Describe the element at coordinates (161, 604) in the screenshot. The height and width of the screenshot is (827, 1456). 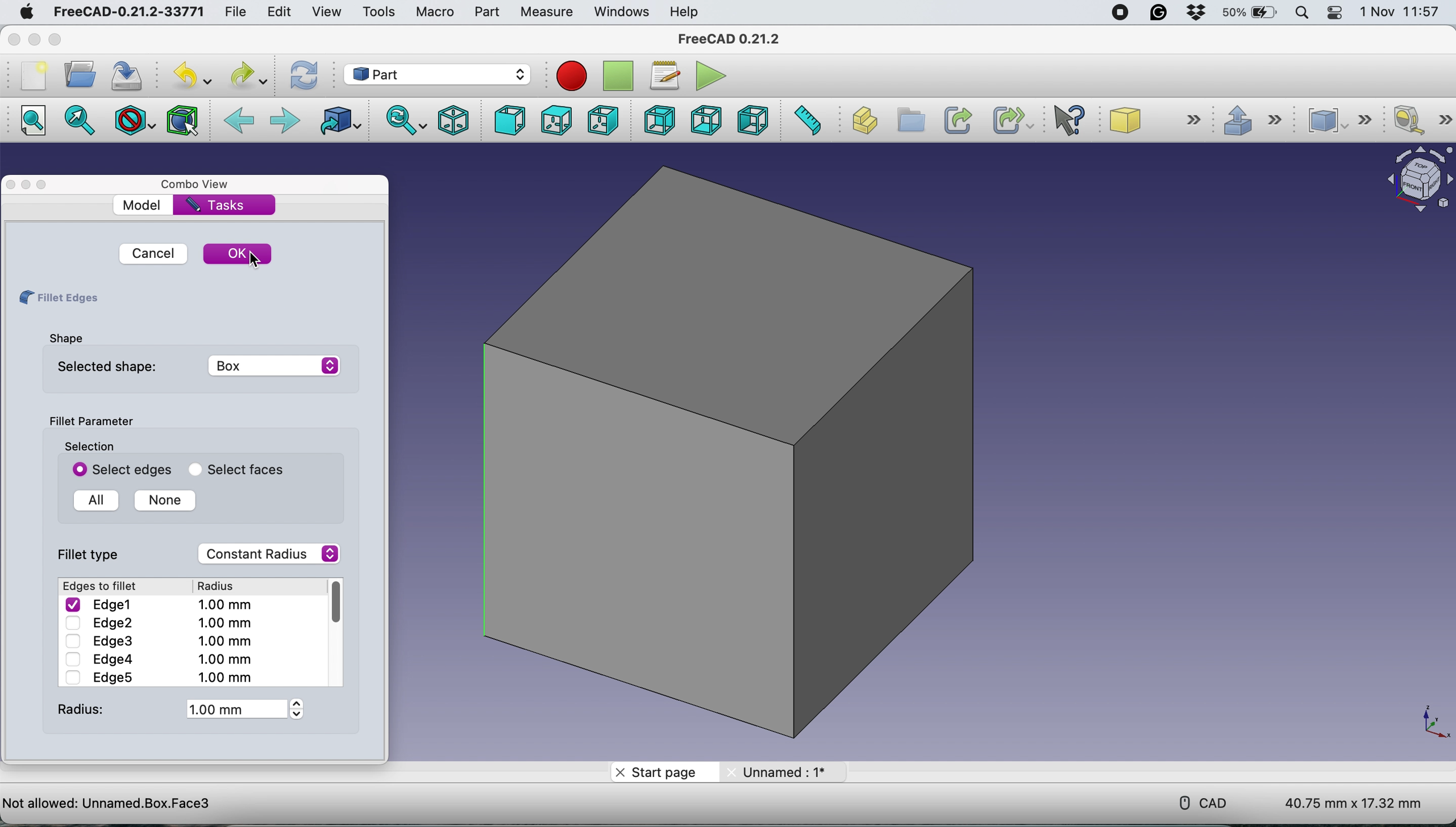
I see `Edge1` at that location.